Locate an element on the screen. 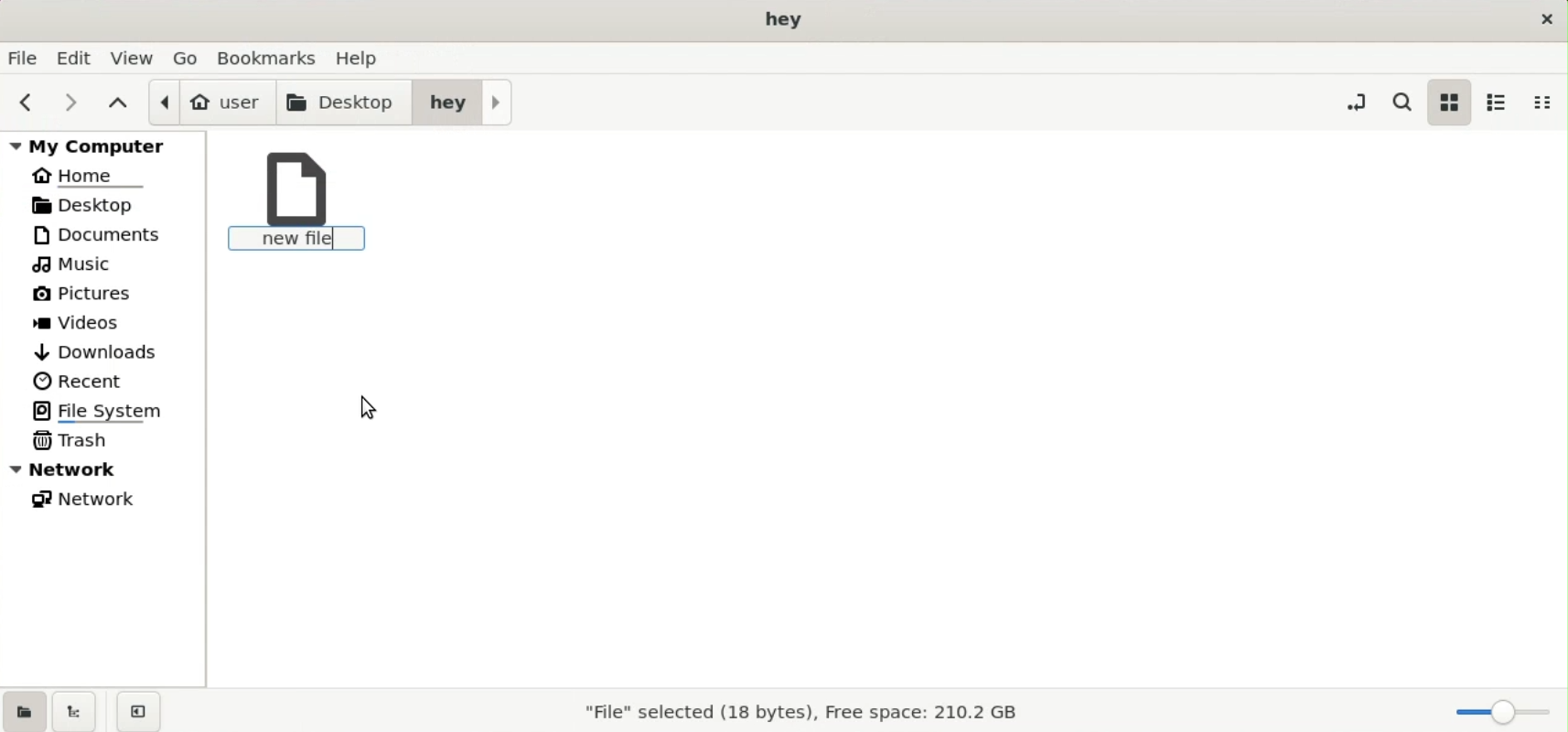  help is located at coordinates (362, 55).